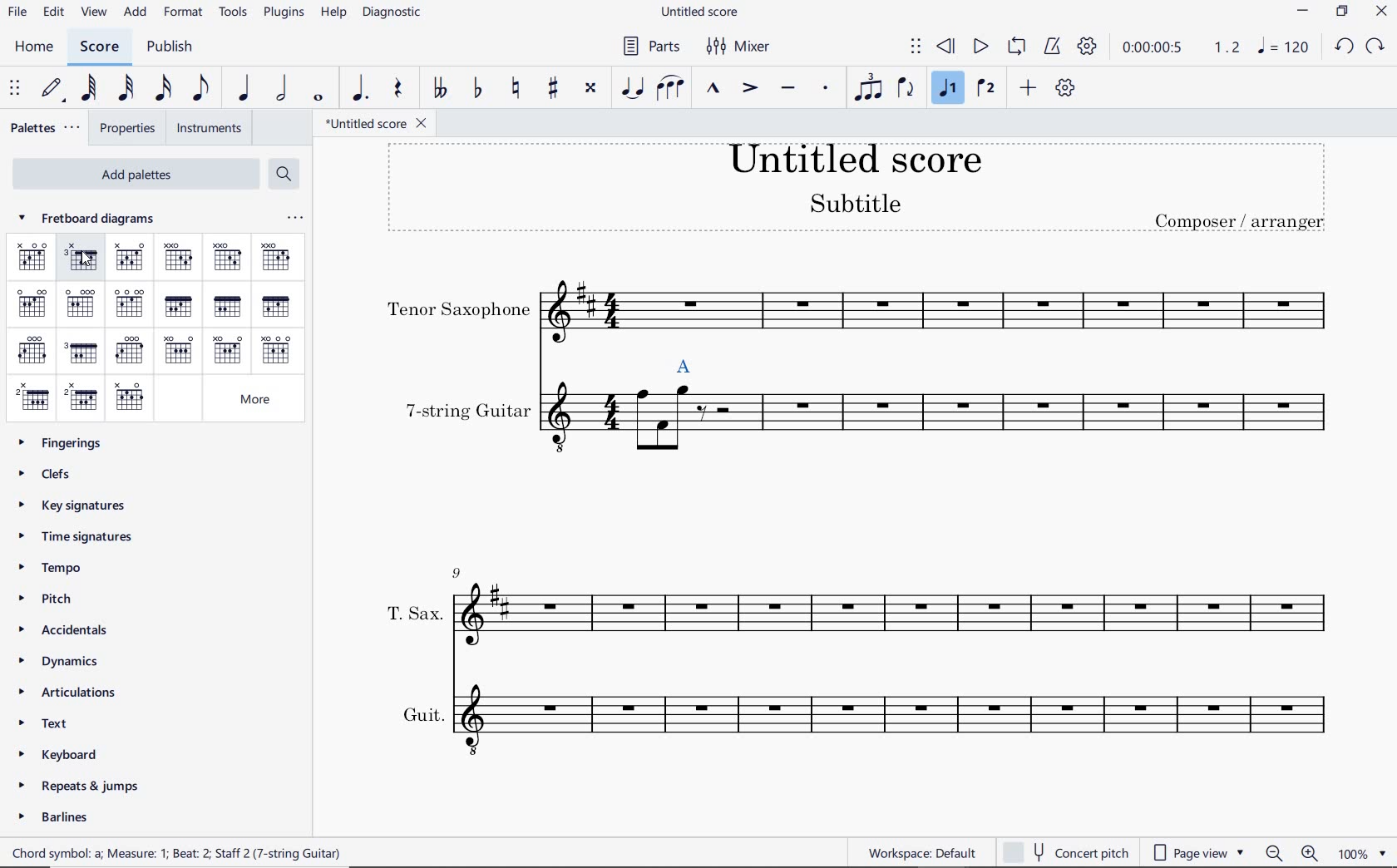  I want to click on INSTRUMENT: T.SAX, so click(849, 604).